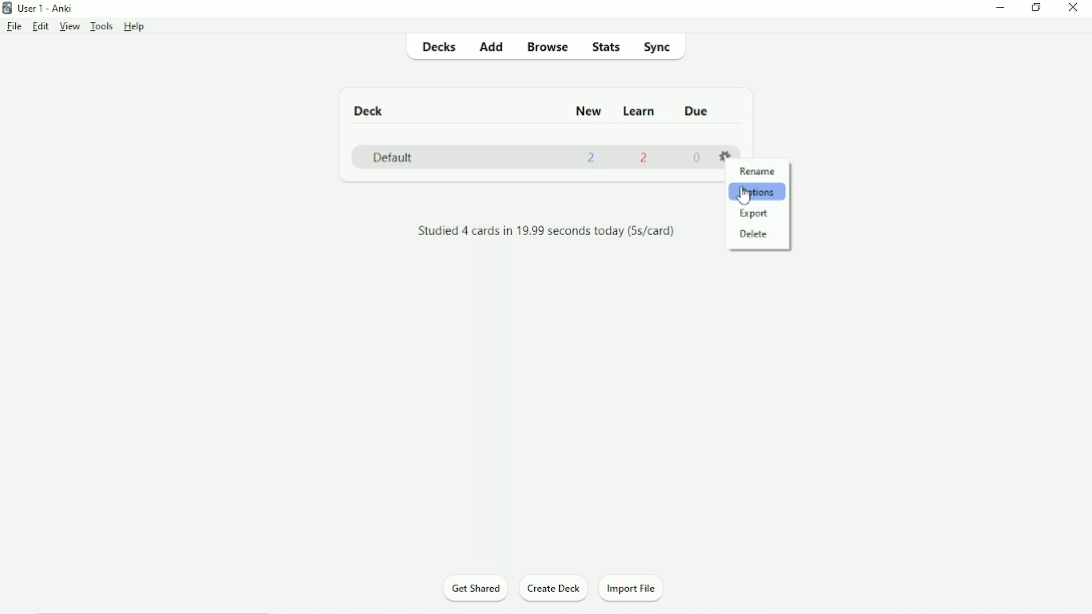 The height and width of the screenshot is (614, 1092). I want to click on Due, so click(696, 111).